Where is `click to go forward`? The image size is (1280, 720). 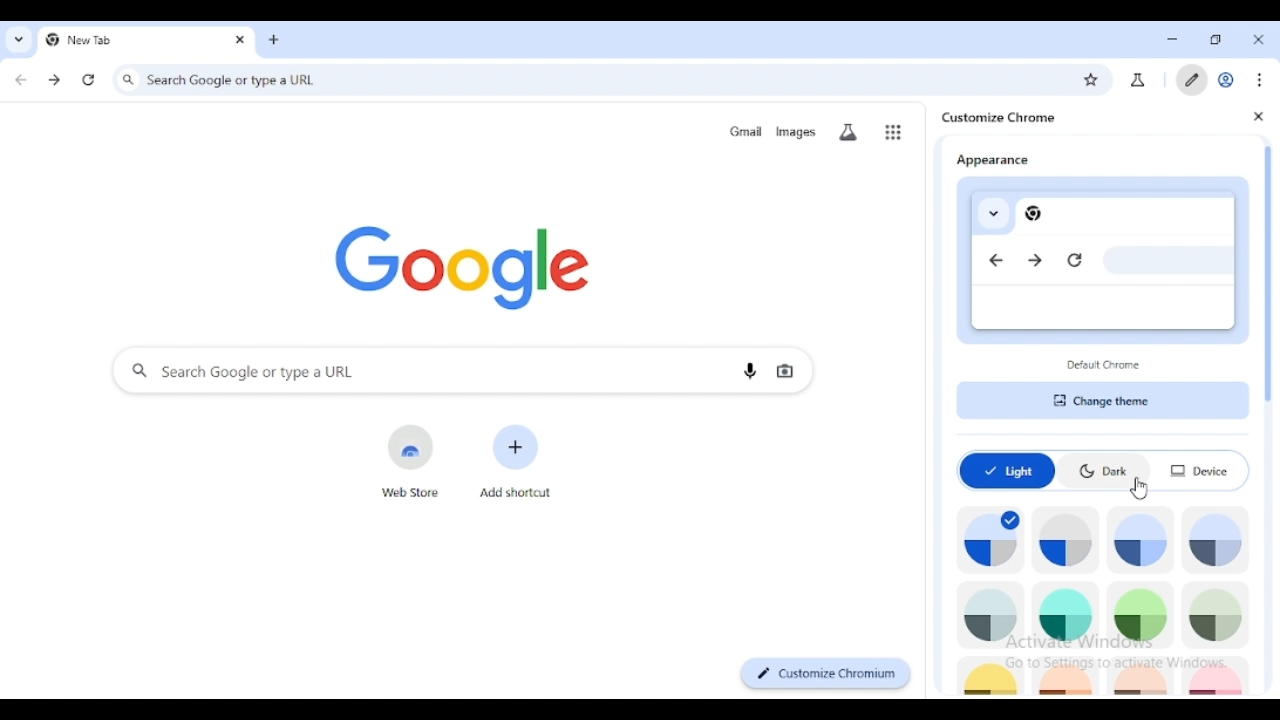 click to go forward is located at coordinates (54, 80).